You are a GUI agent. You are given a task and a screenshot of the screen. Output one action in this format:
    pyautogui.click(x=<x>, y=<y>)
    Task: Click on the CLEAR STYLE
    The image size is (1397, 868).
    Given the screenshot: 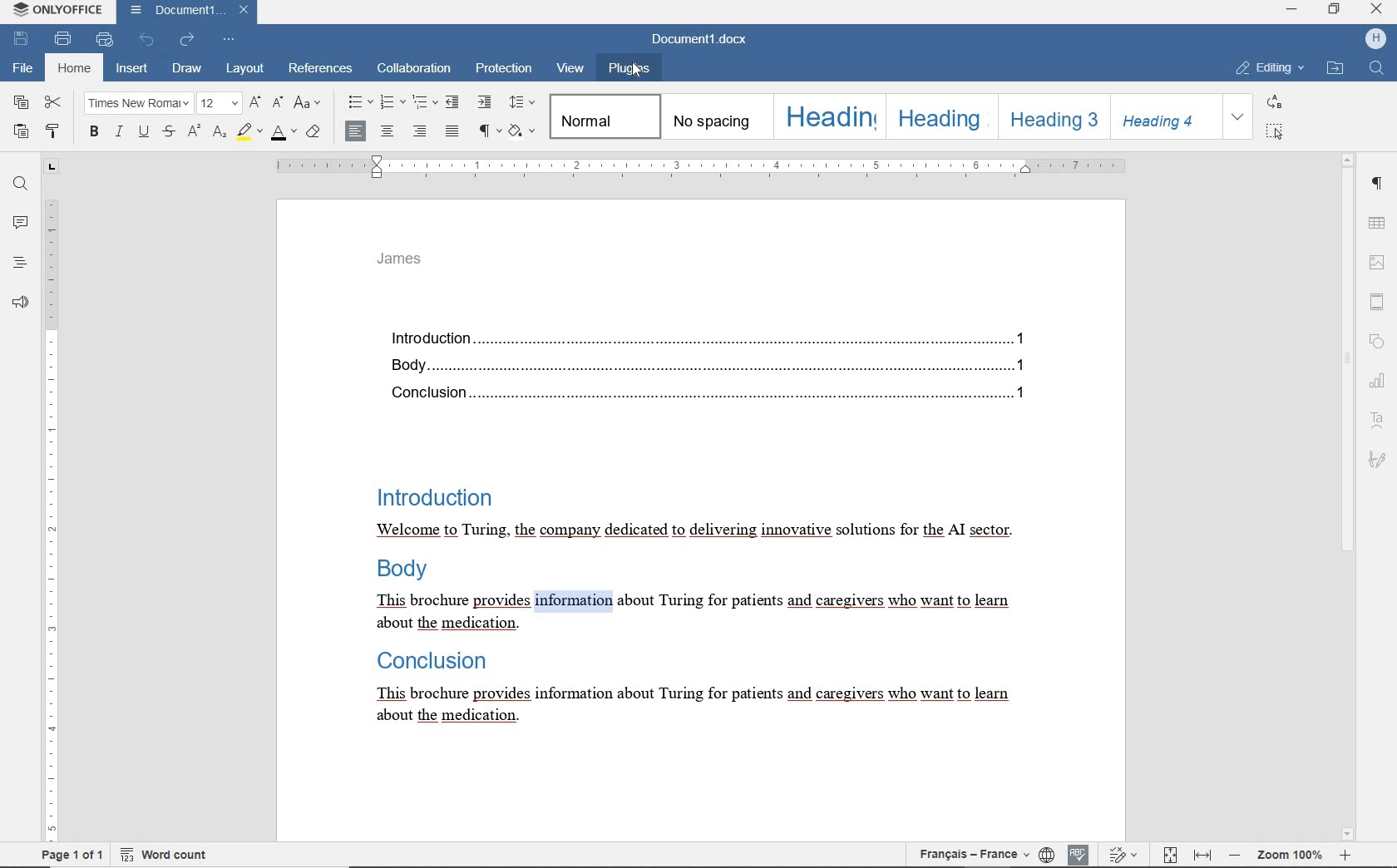 What is the action you would take?
    pyautogui.click(x=315, y=134)
    